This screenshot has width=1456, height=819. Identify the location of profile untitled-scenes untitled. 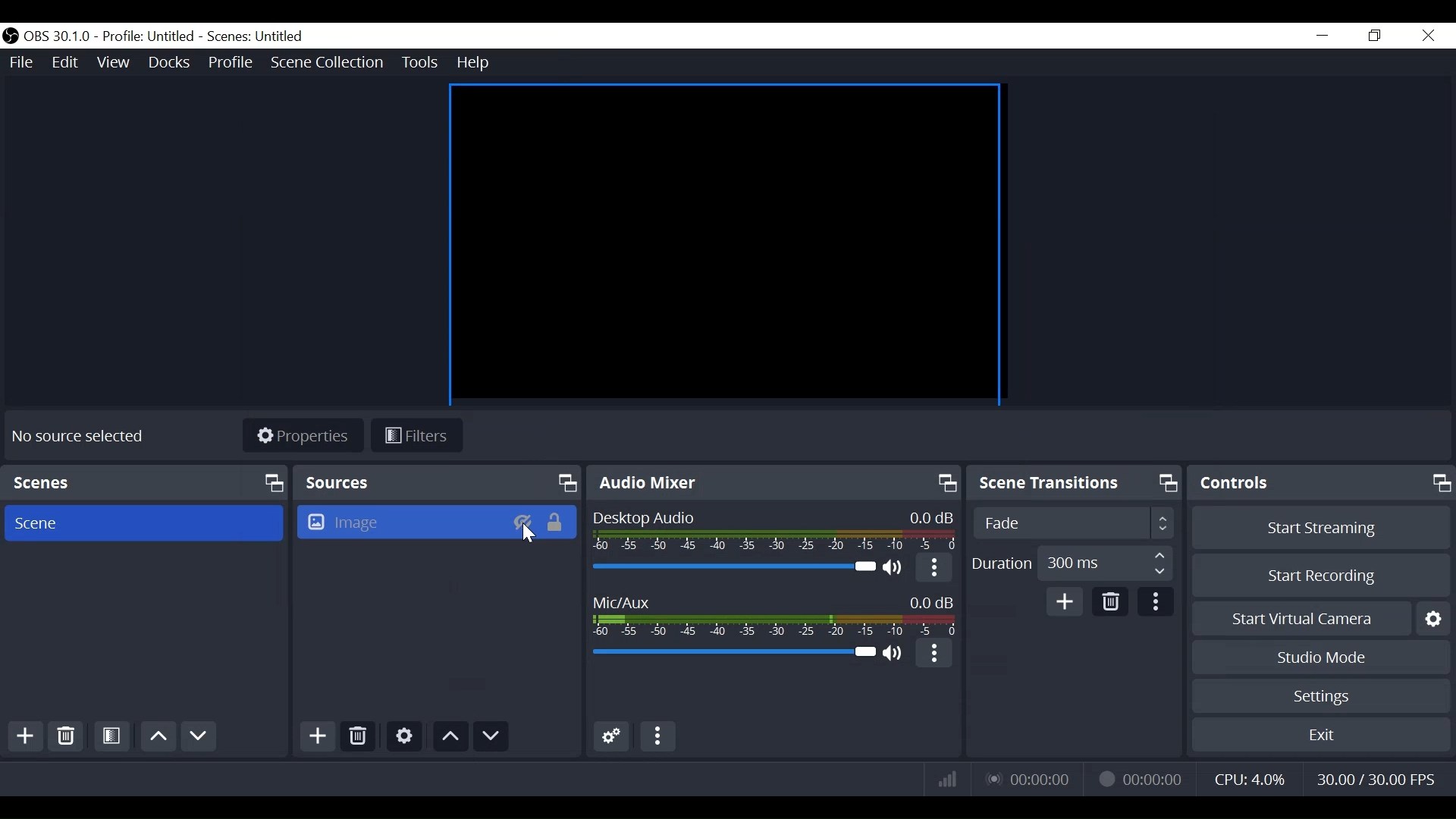
(209, 36).